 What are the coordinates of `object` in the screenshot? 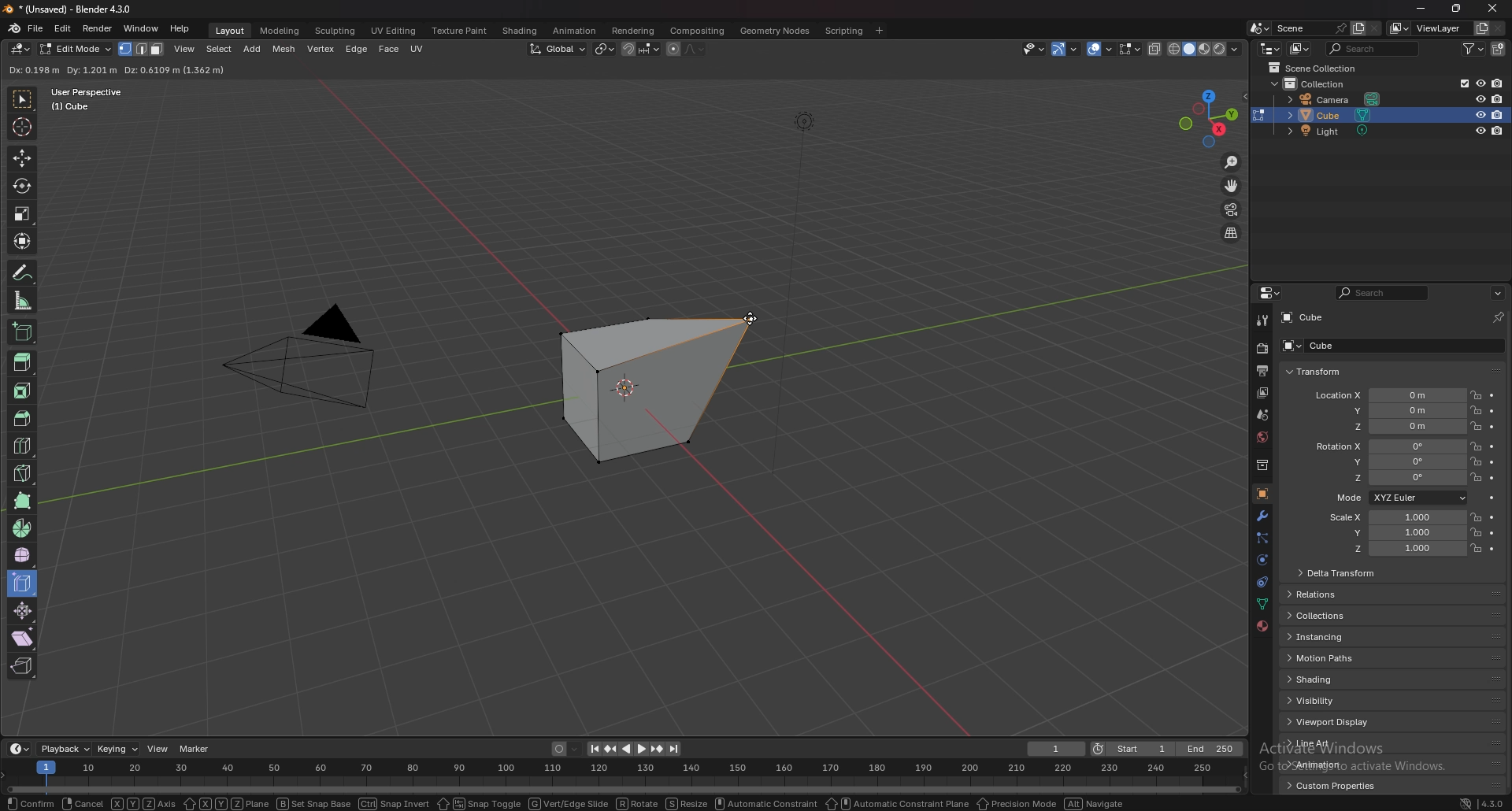 It's located at (1262, 494).